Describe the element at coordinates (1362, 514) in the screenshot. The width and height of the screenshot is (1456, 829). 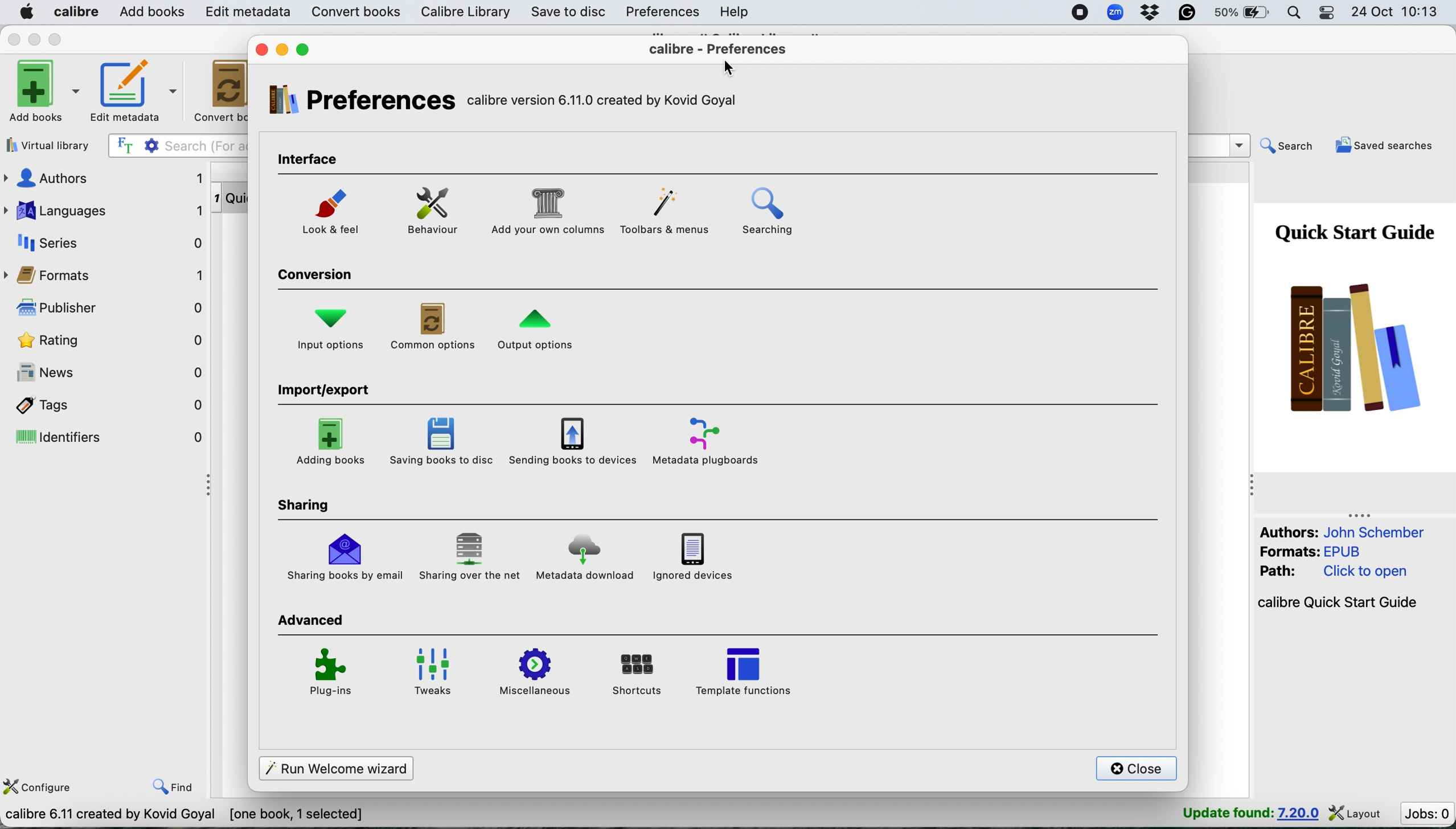
I see `collapse` at that location.